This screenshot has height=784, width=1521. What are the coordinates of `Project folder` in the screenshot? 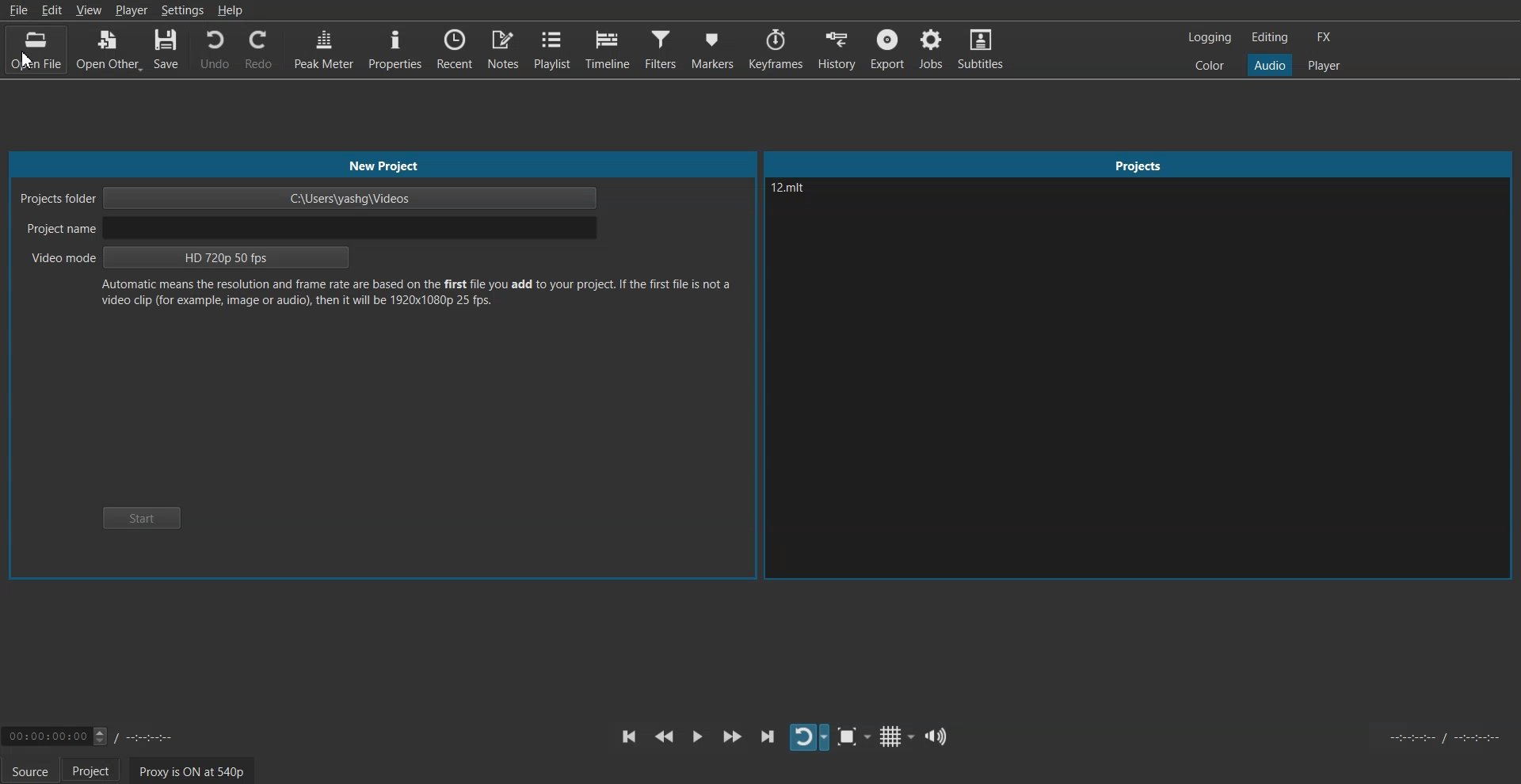 It's located at (310, 198).